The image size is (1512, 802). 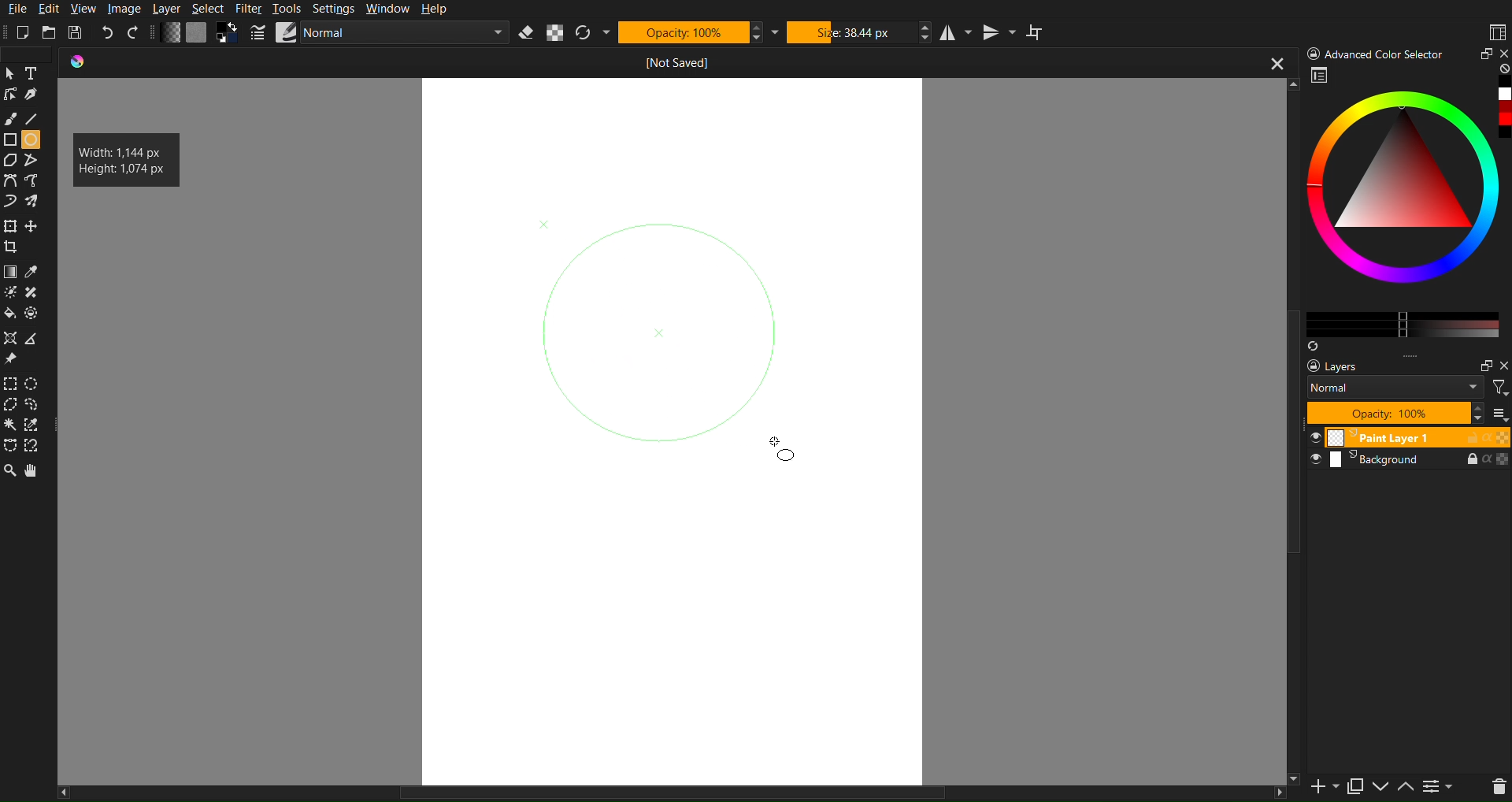 What do you see at coordinates (38, 75) in the screenshot?
I see `Text` at bounding box center [38, 75].